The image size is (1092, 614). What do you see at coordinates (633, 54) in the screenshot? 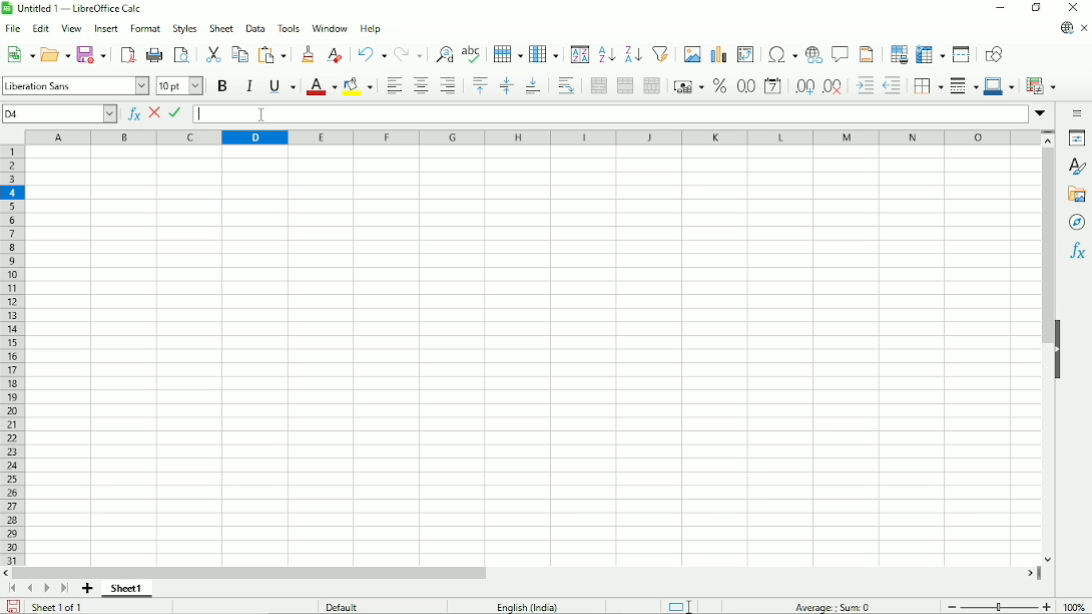
I see `Sort descending` at bounding box center [633, 54].